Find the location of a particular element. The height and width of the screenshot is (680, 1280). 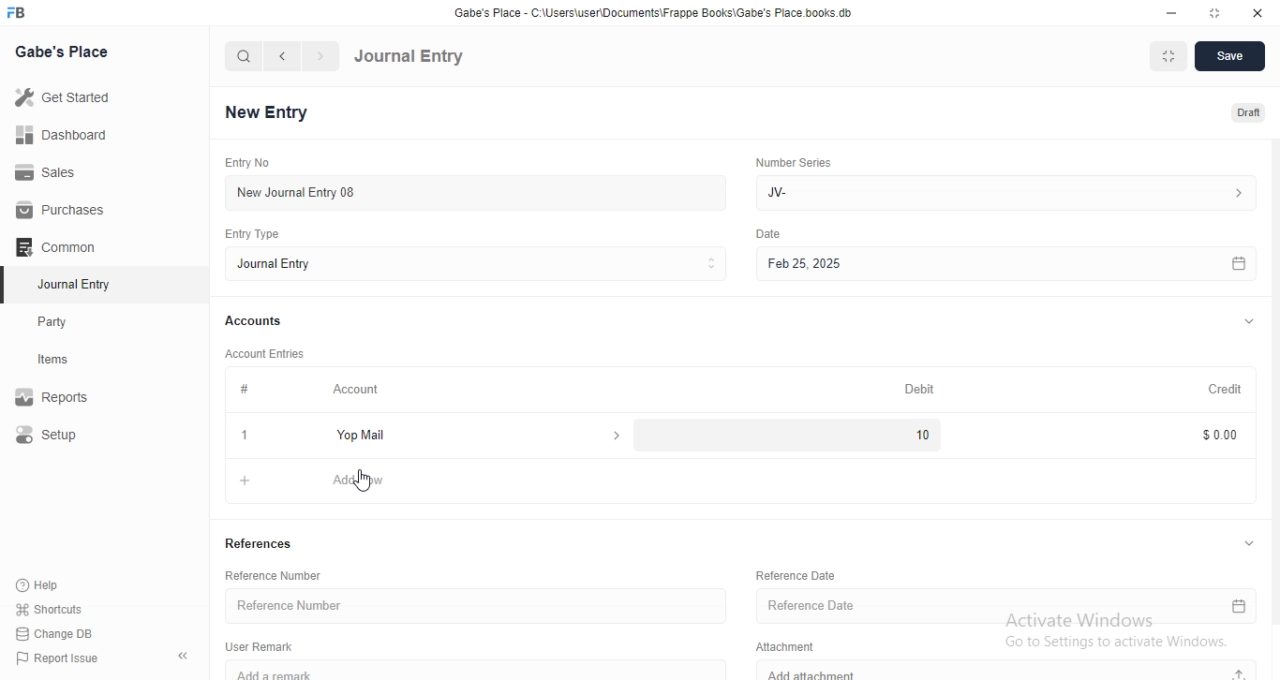

Feb 25, 2025 is located at coordinates (1003, 263).